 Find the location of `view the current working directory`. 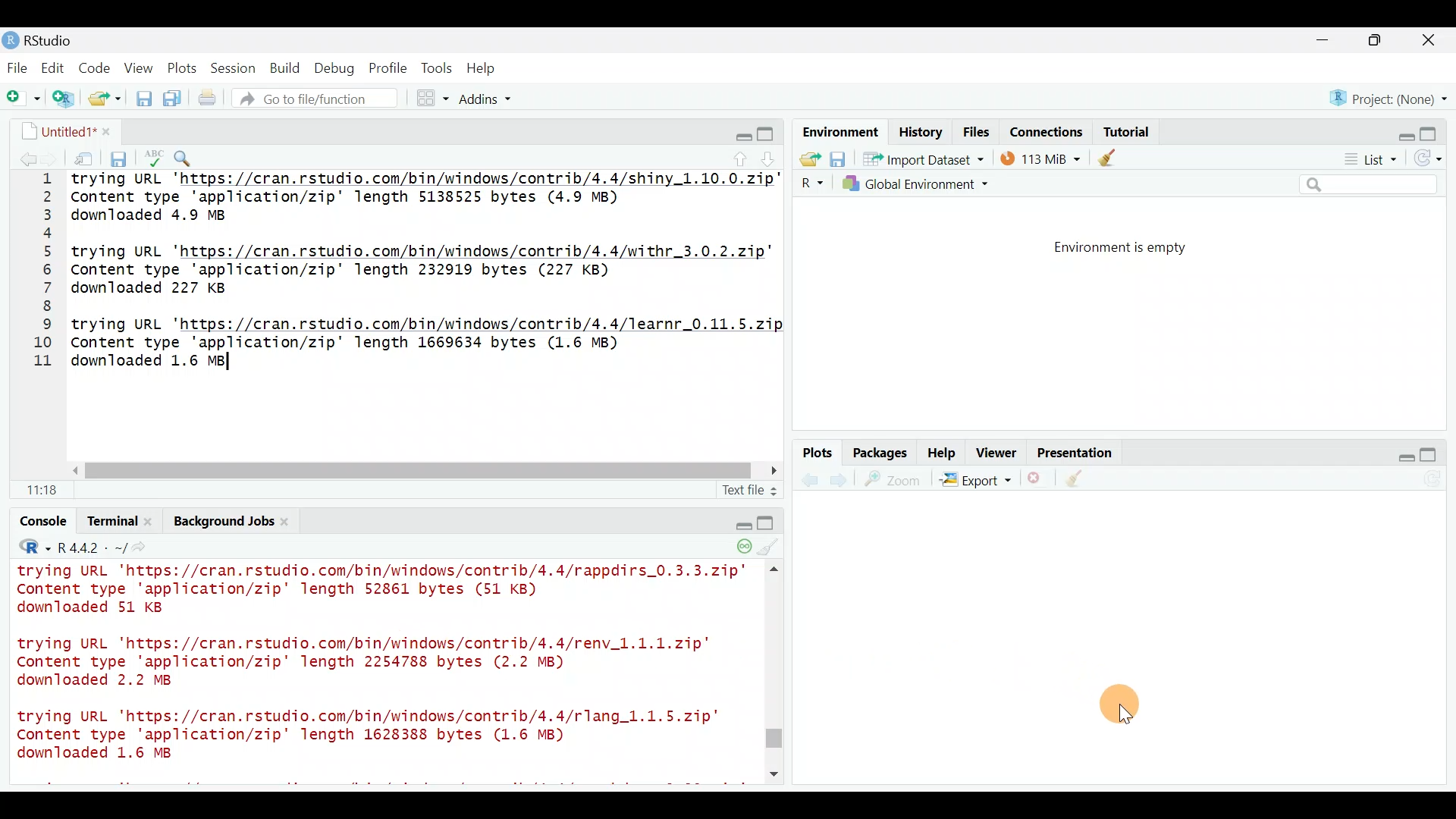

view the current working directory is located at coordinates (147, 547).